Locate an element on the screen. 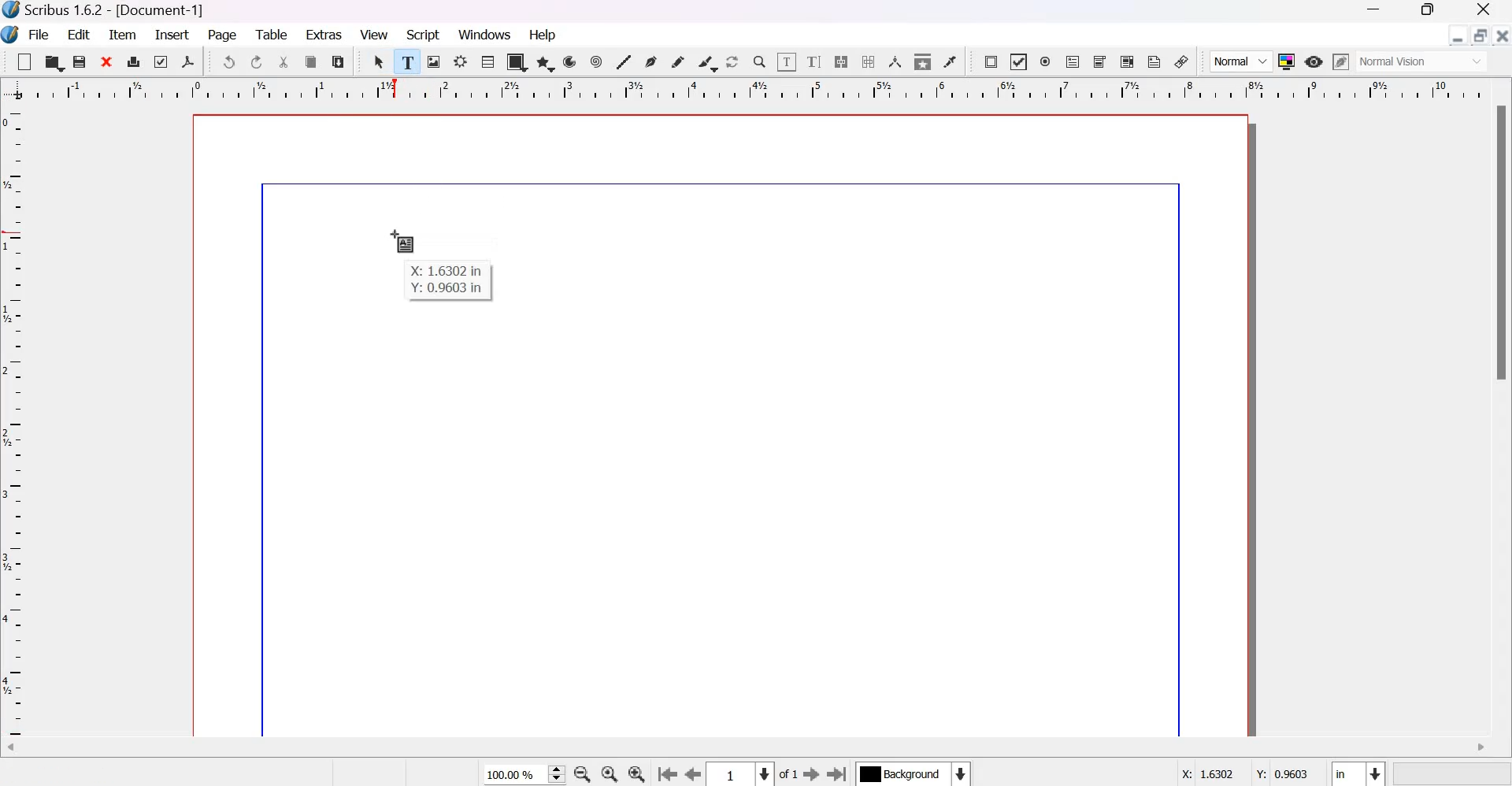  Preview mode is located at coordinates (1314, 63).